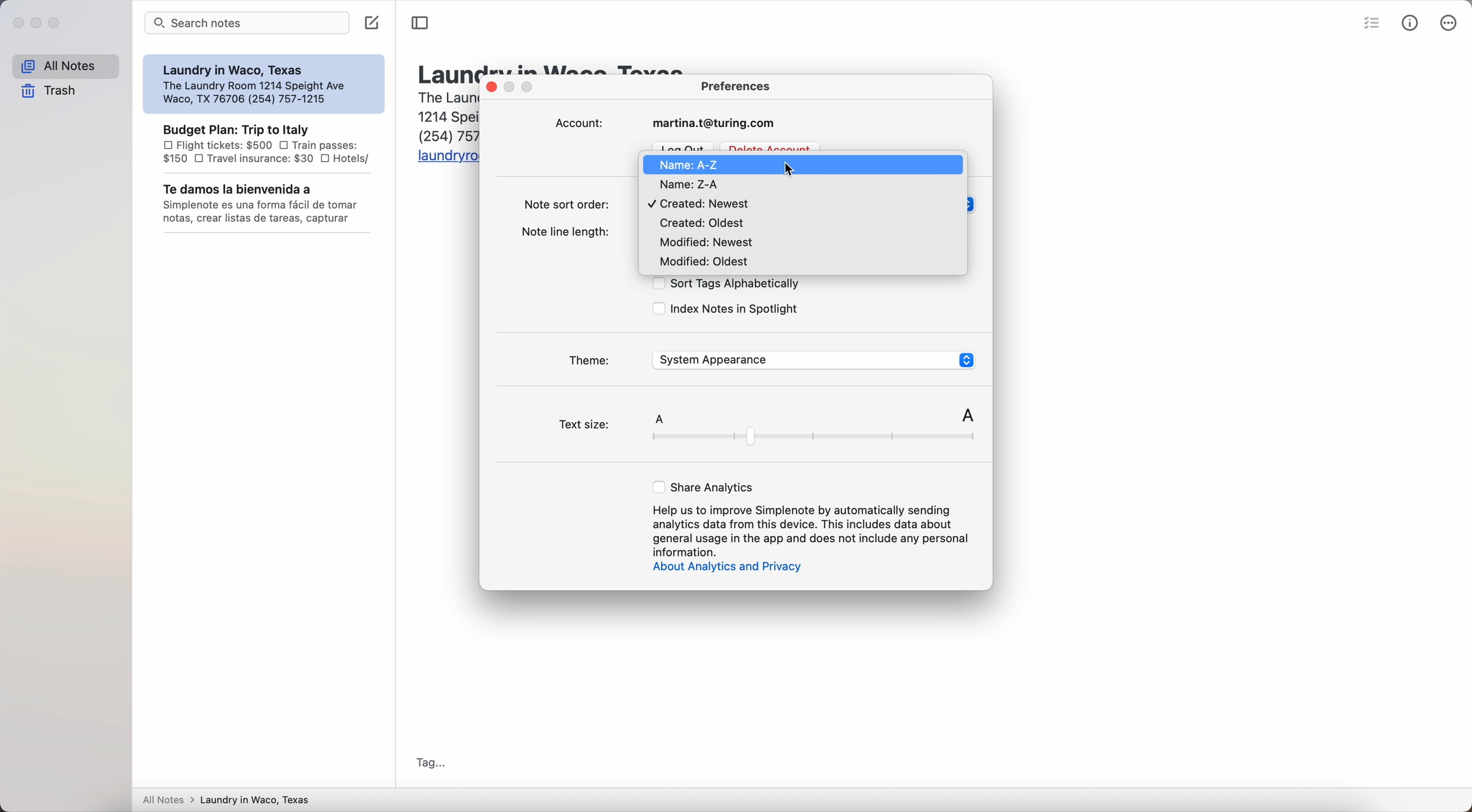 The height and width of the screenshot is (812, 1472). I want to click on text size, so click(765, 429).